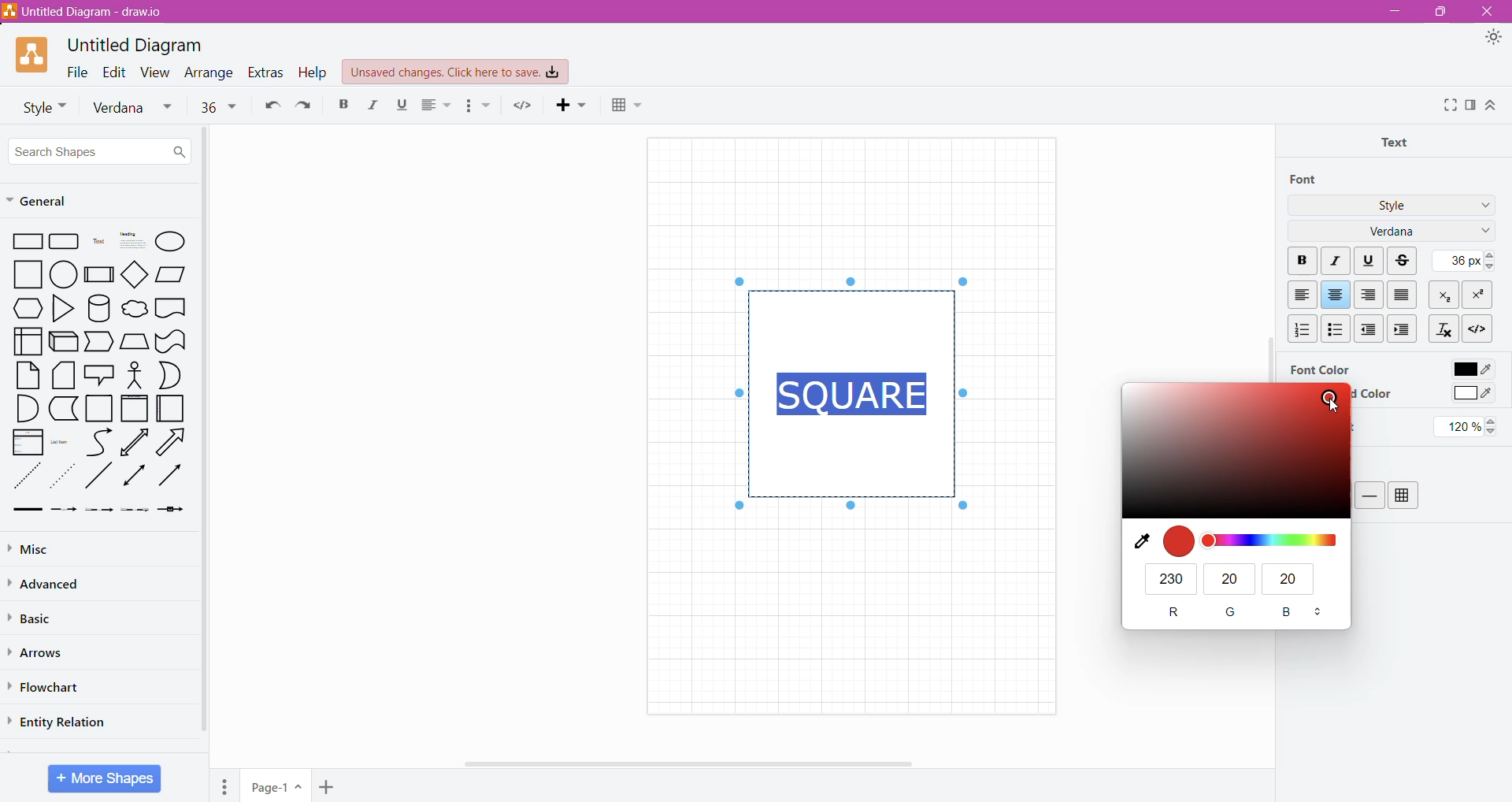 This screenshot has width=1512, height=802. I want to click on Fullscreen, so click(1449, 106).